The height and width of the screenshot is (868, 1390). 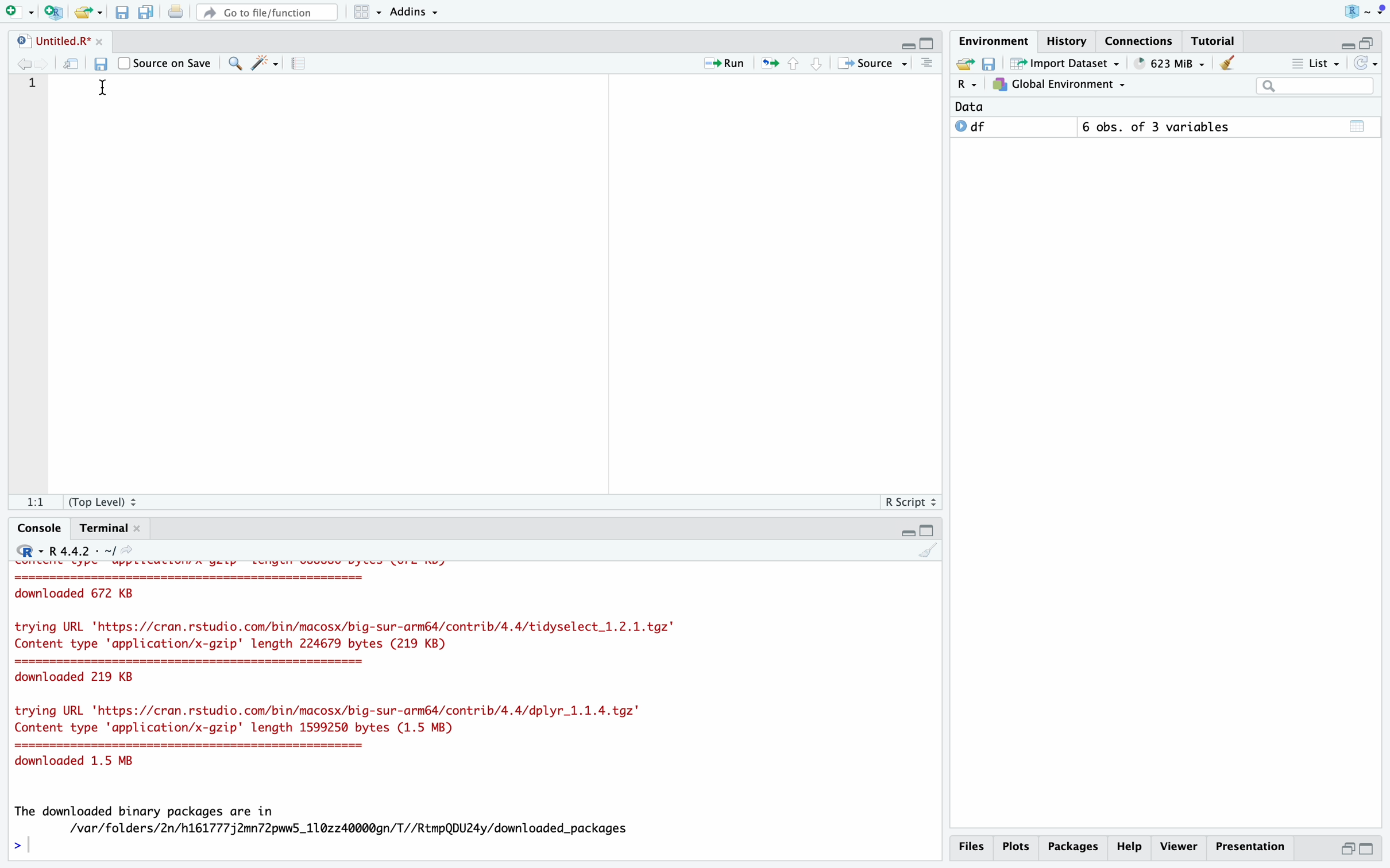 What do you see at coordinates (43, 65) in the screenshot?
I see `Go to next location` at bounding box center [43, 65].